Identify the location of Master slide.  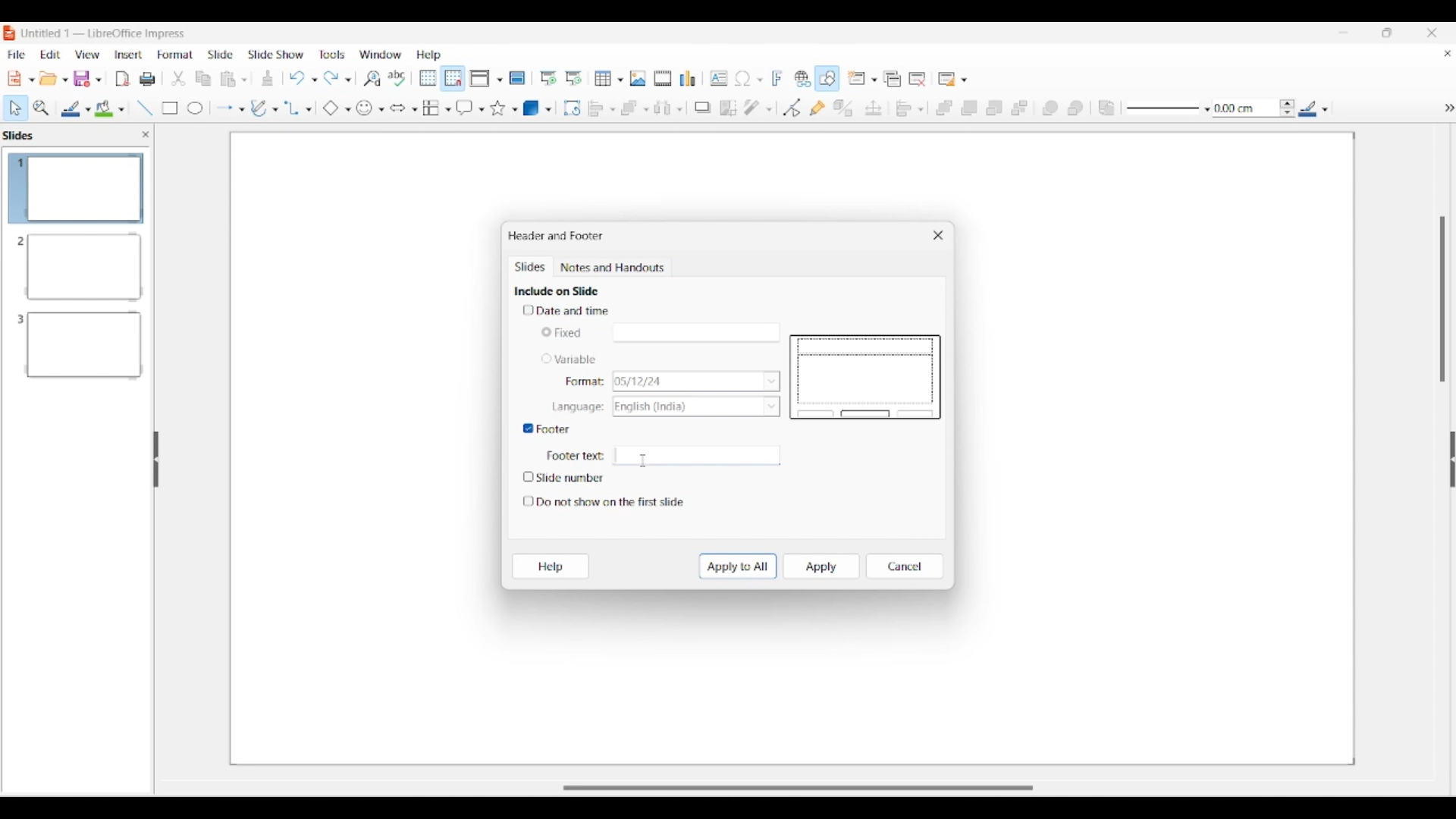
(517, 77).